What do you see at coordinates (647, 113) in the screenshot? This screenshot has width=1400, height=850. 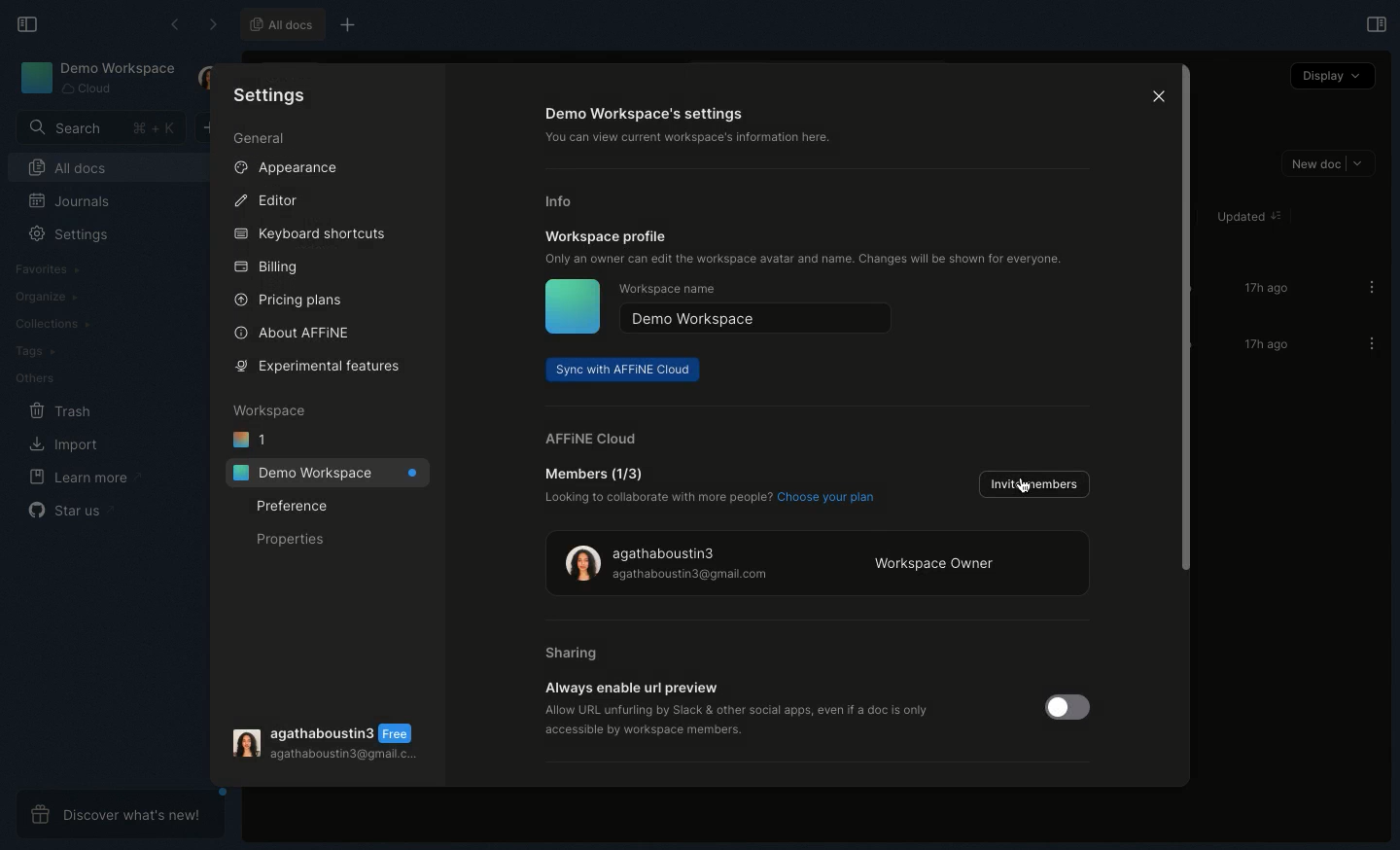 I see `Demo workspace's settings` at bounding box center [647, 113].